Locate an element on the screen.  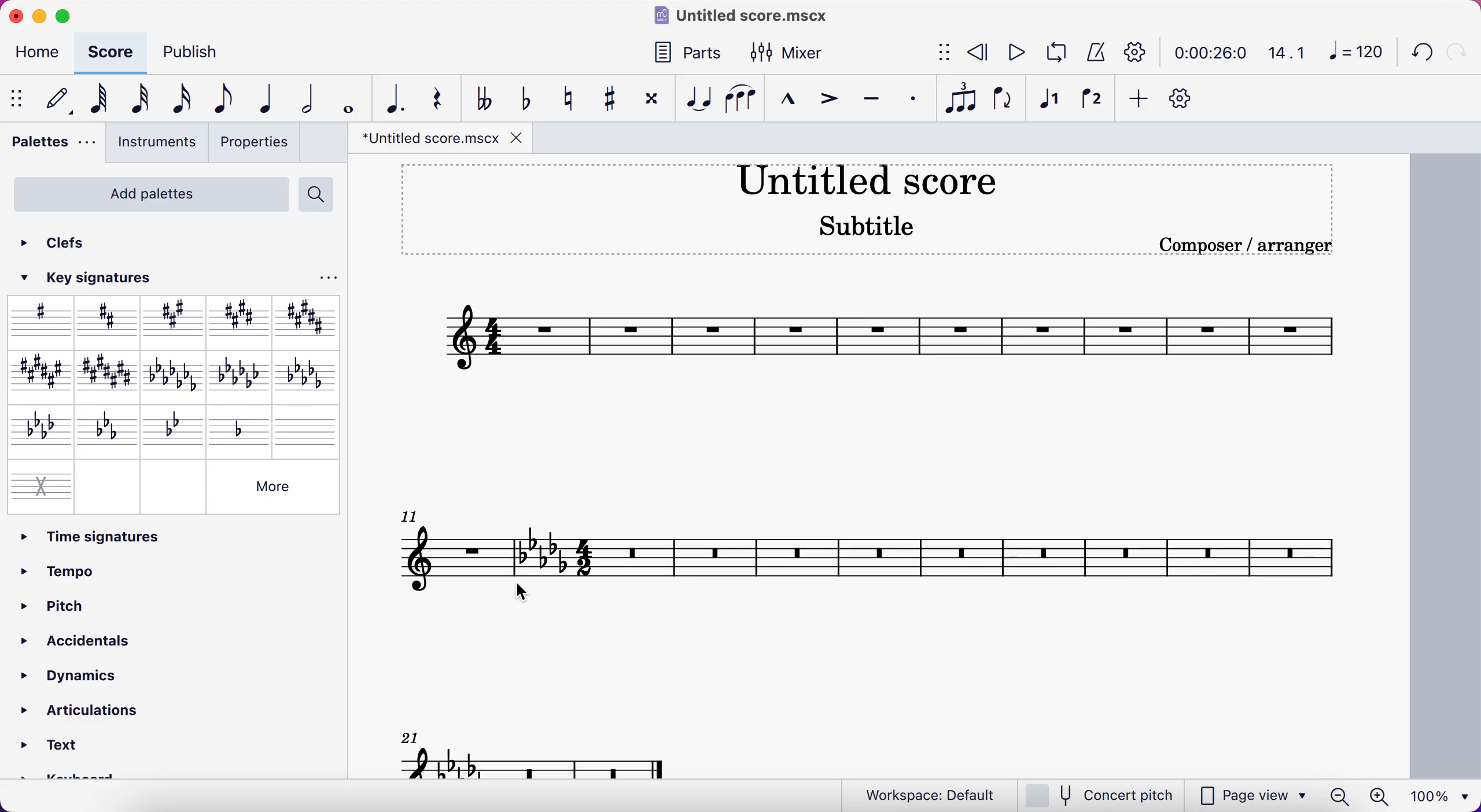
rest is located at coordinates (443, 96).